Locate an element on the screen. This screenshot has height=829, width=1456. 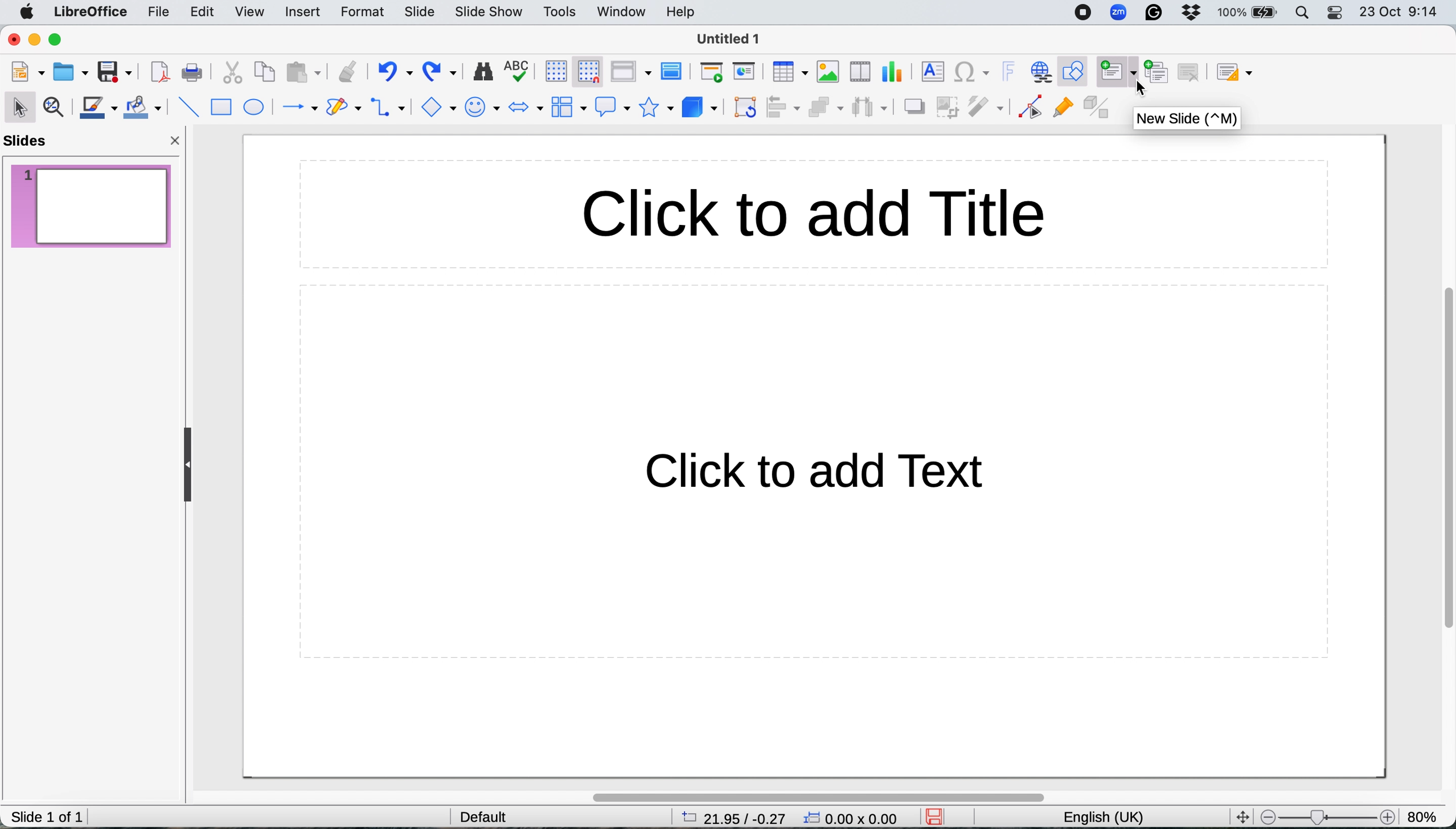
slide is located at coordinates (418, 10).